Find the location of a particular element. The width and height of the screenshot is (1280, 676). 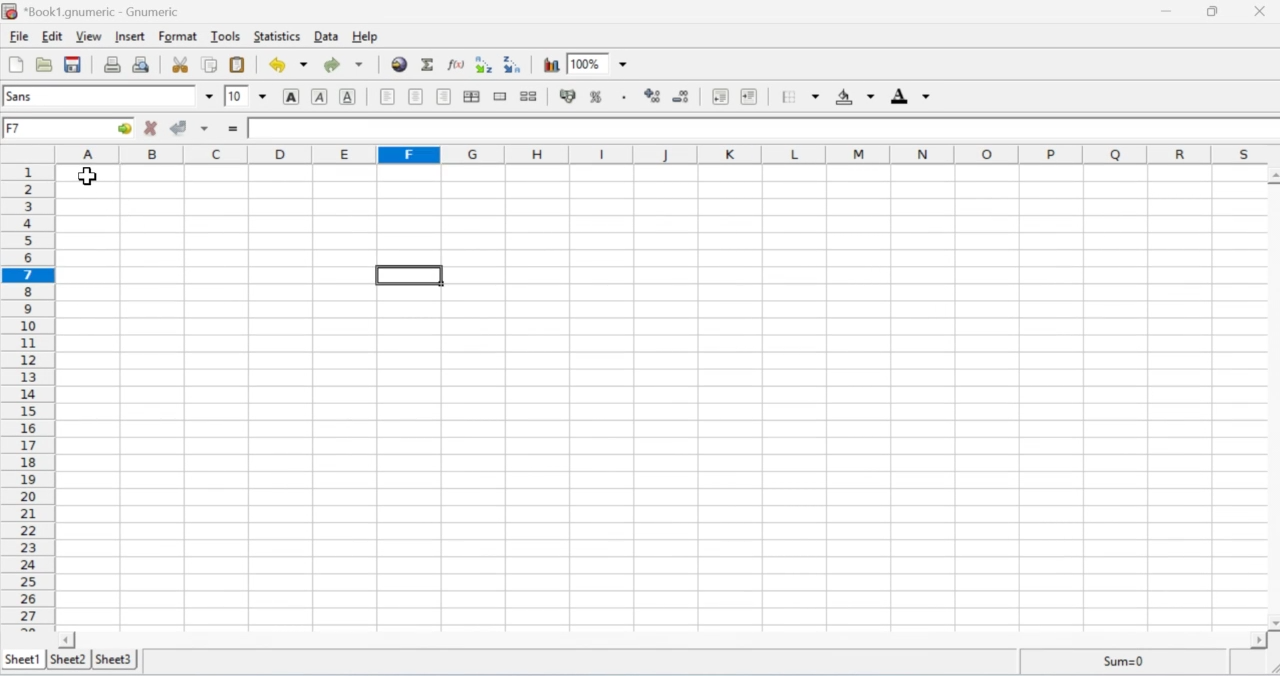

Copy the selection is located at coordinates (211, 63).